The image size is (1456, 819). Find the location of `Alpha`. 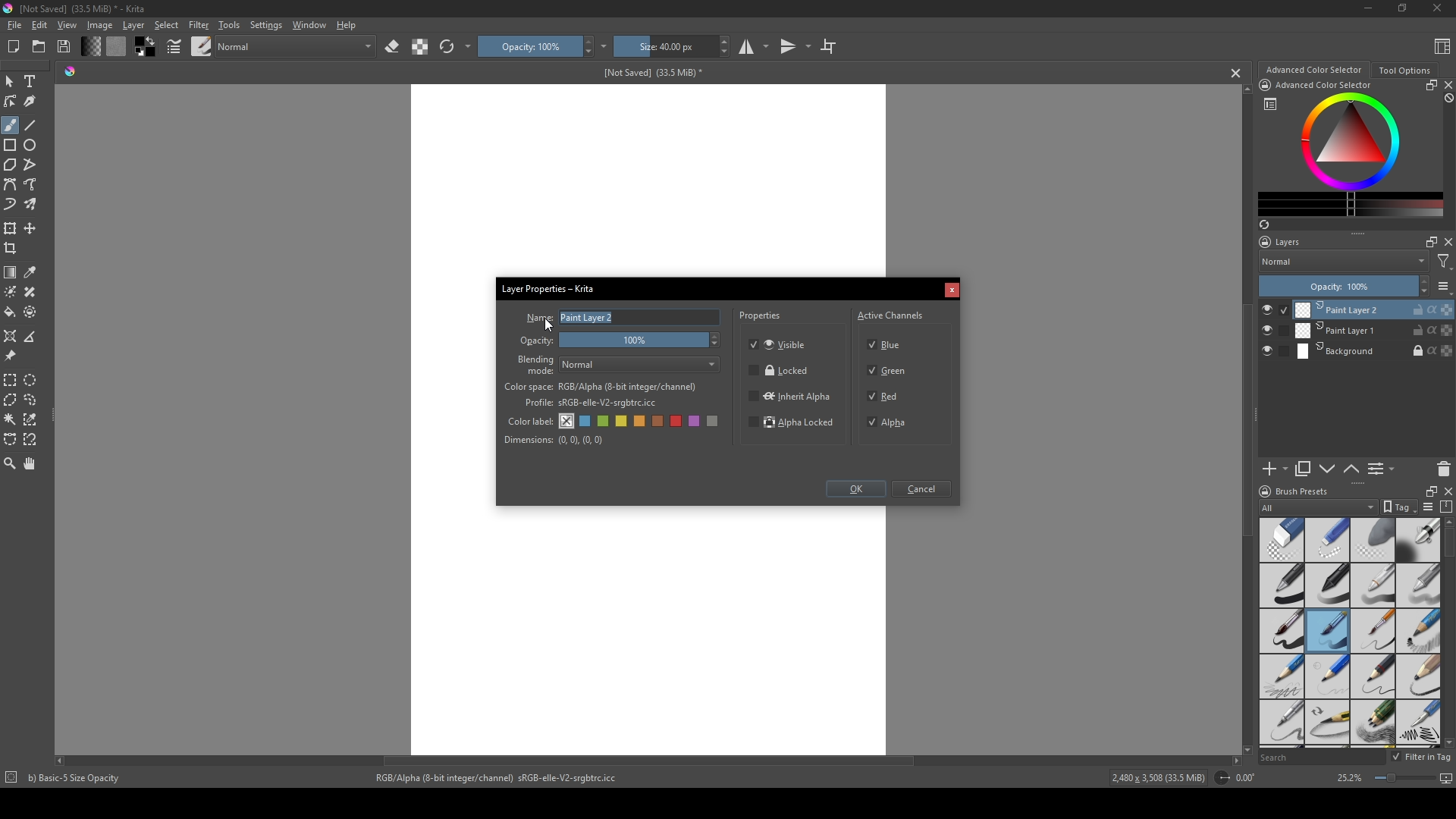

Alpha is located at coordinates (891, 422).